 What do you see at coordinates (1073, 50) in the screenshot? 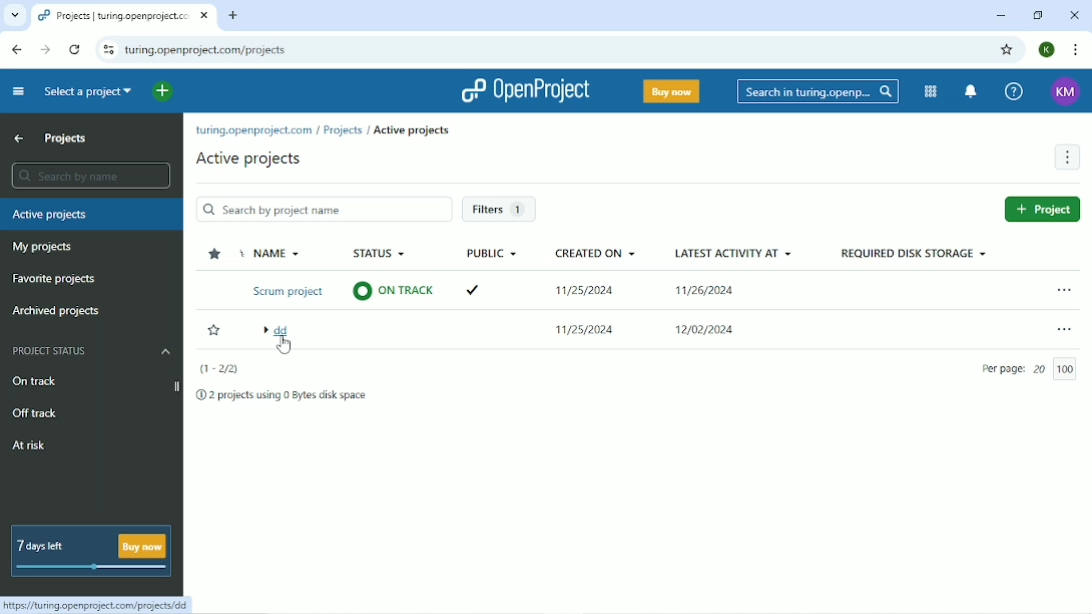
I see `Customize and control google chrome` at bounding box center [1073, 50].